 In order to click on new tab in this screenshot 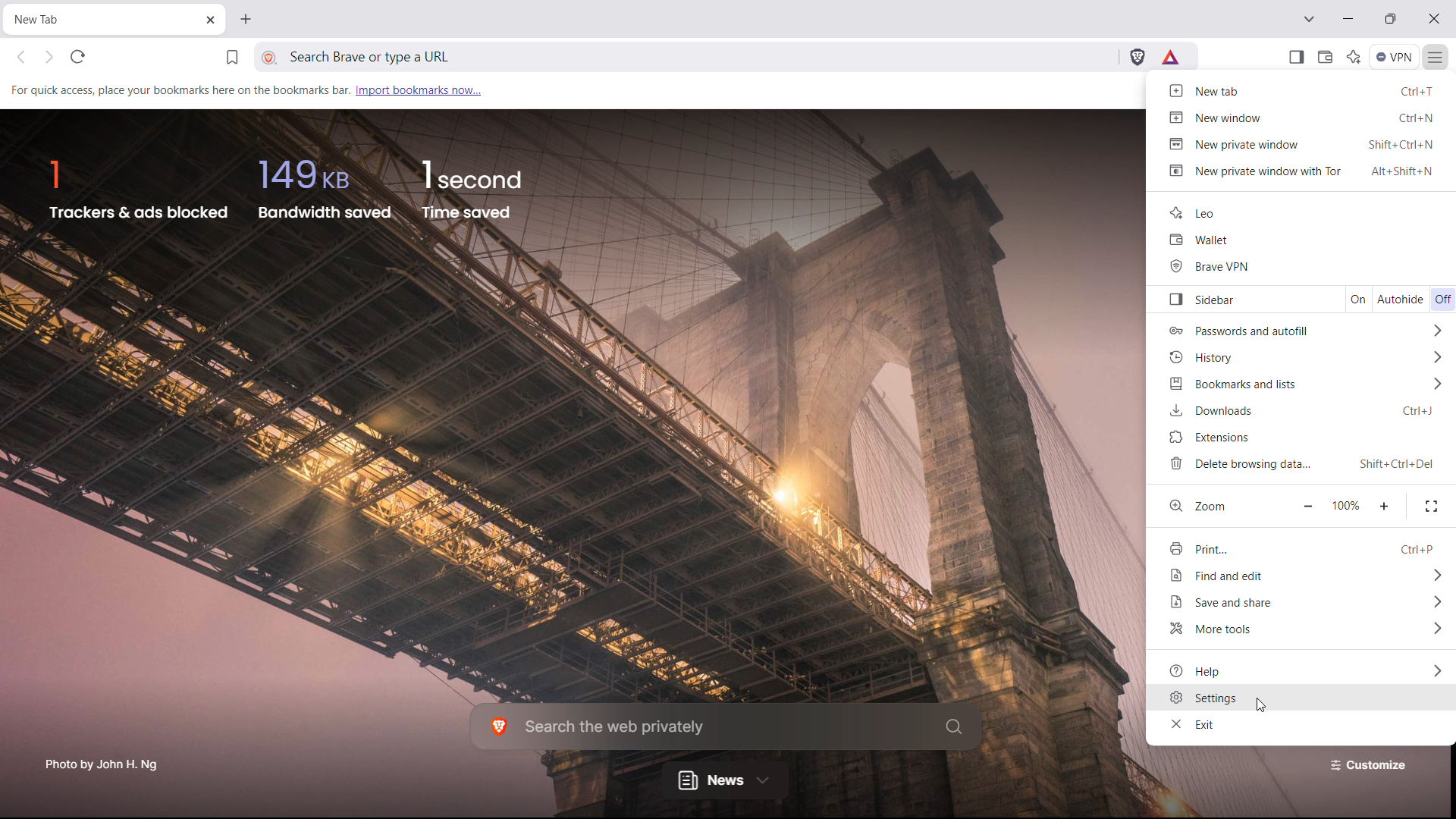, I will do `click(1305, 91)`.